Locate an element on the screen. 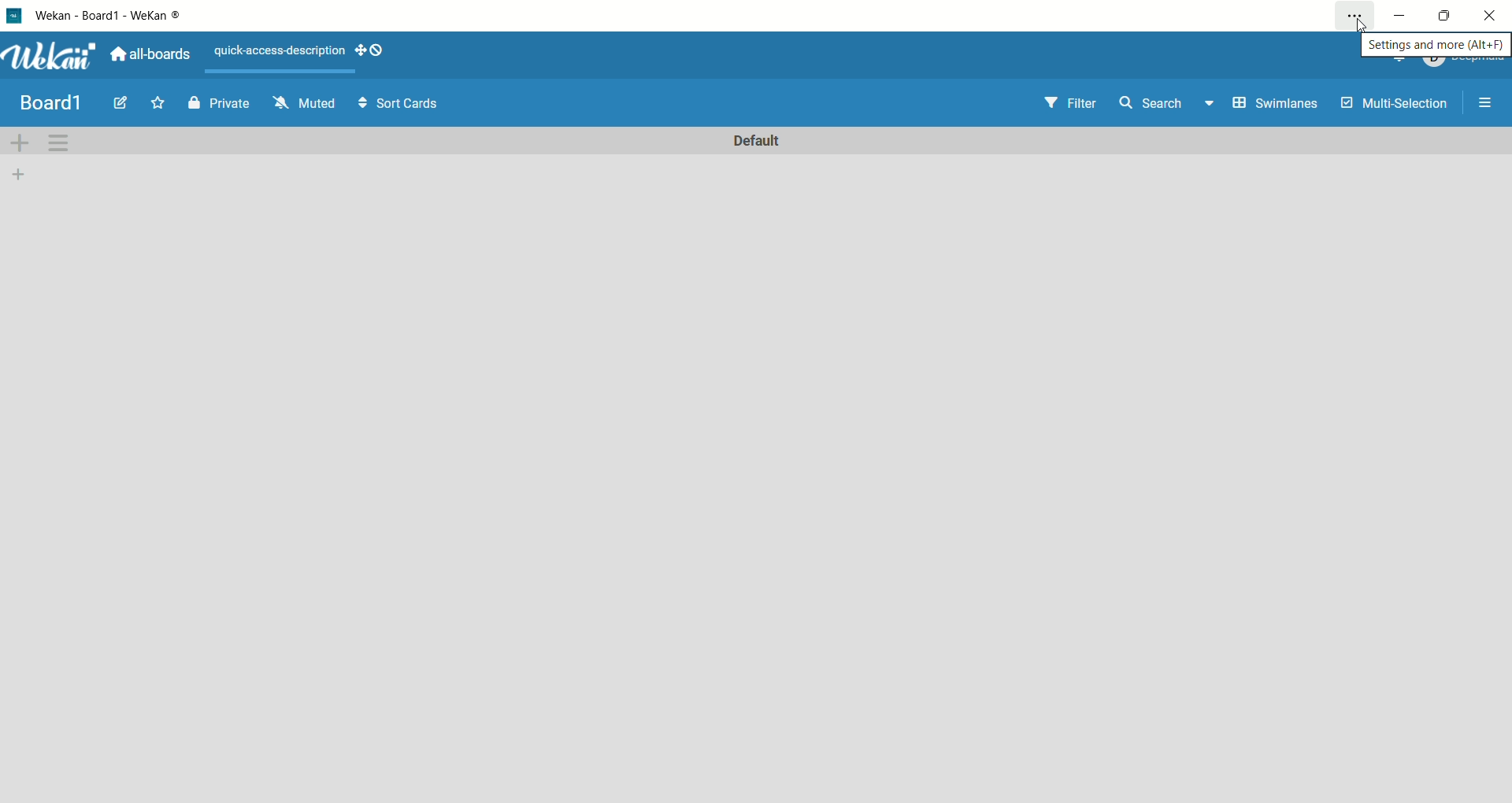 The width and height of the screenshot is (1512, 803). show-desktop-drag-handles is located at coordinates (358, 46).